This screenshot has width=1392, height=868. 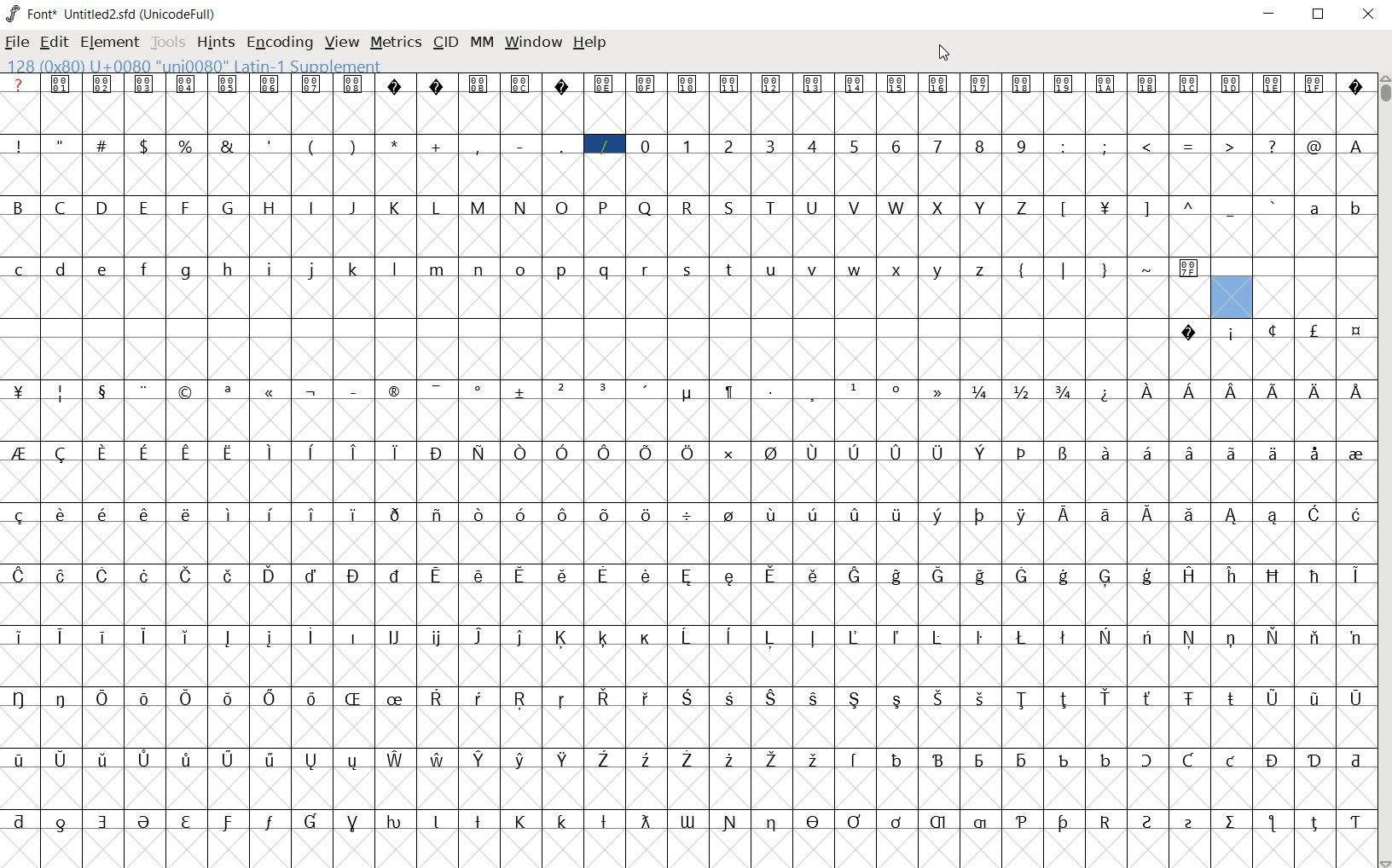 I want to click on glyph, so click(x=896, y=454).